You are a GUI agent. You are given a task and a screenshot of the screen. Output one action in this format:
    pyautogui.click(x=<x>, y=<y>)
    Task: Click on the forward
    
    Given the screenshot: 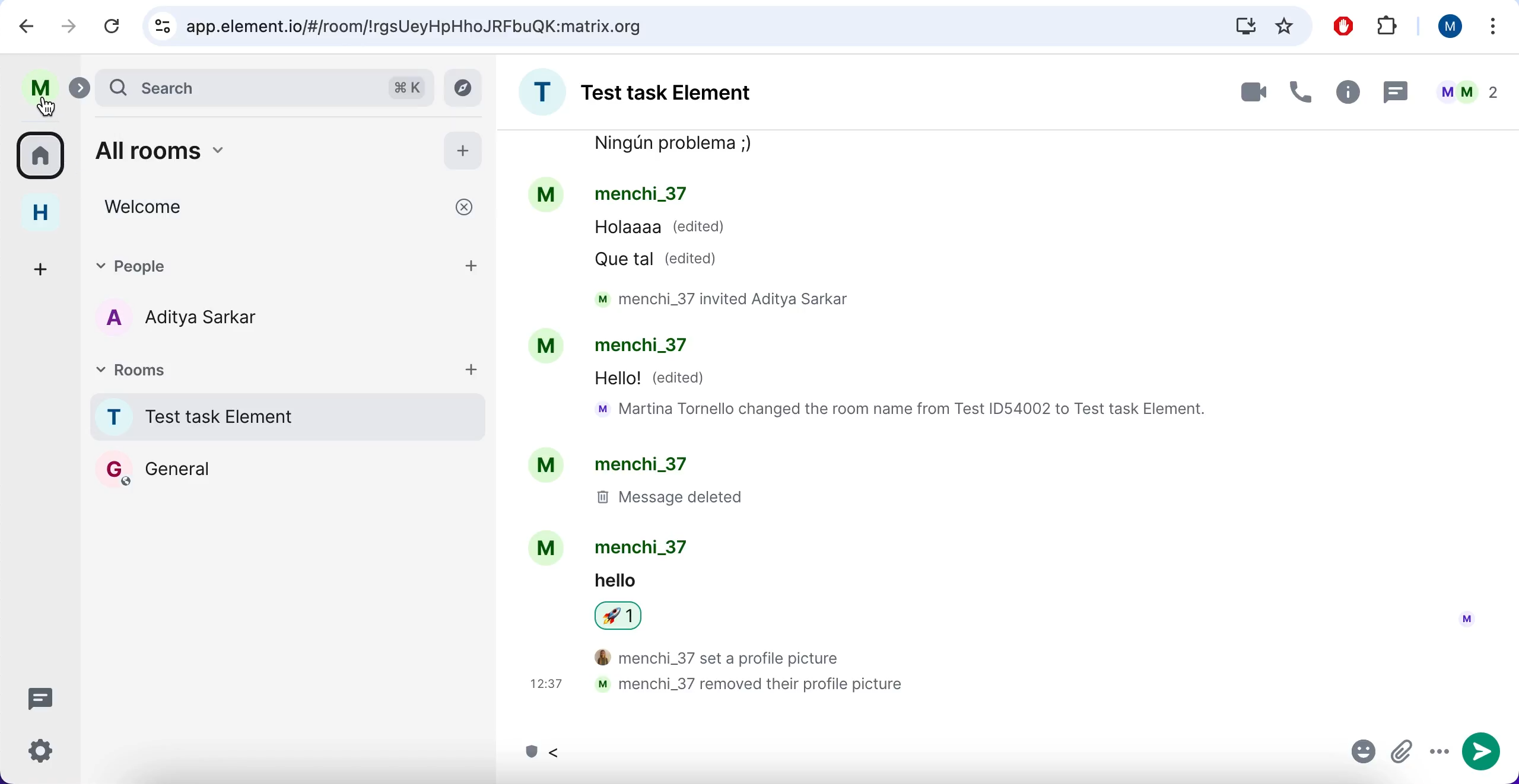 What is the action you would take?
    pyautogui.click(x=68, y=28)
    